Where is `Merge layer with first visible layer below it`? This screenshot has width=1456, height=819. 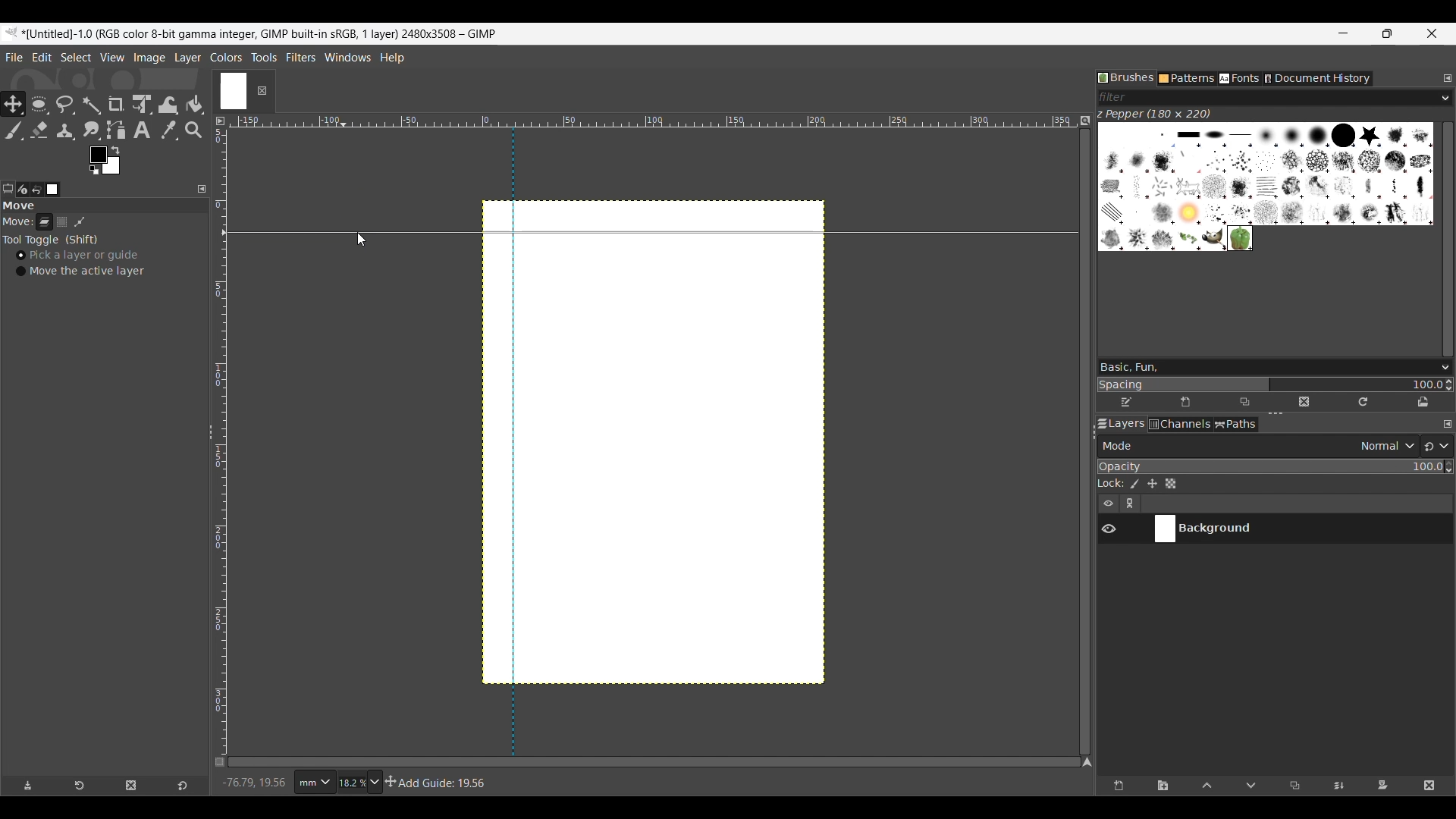 Merge layer with first visible layer below it is located at coordinates (1338, 786).